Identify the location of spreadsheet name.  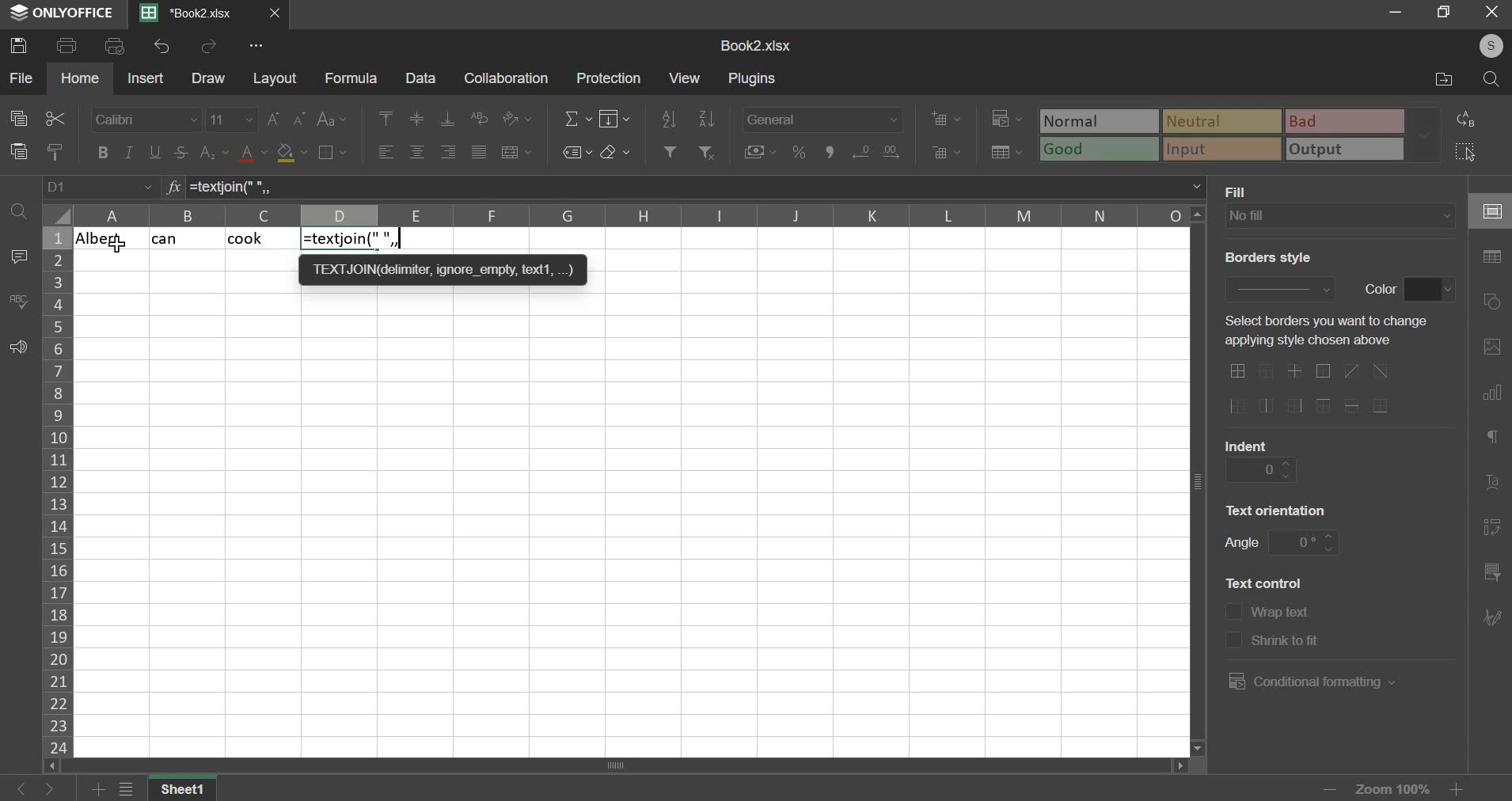
(755, 46).